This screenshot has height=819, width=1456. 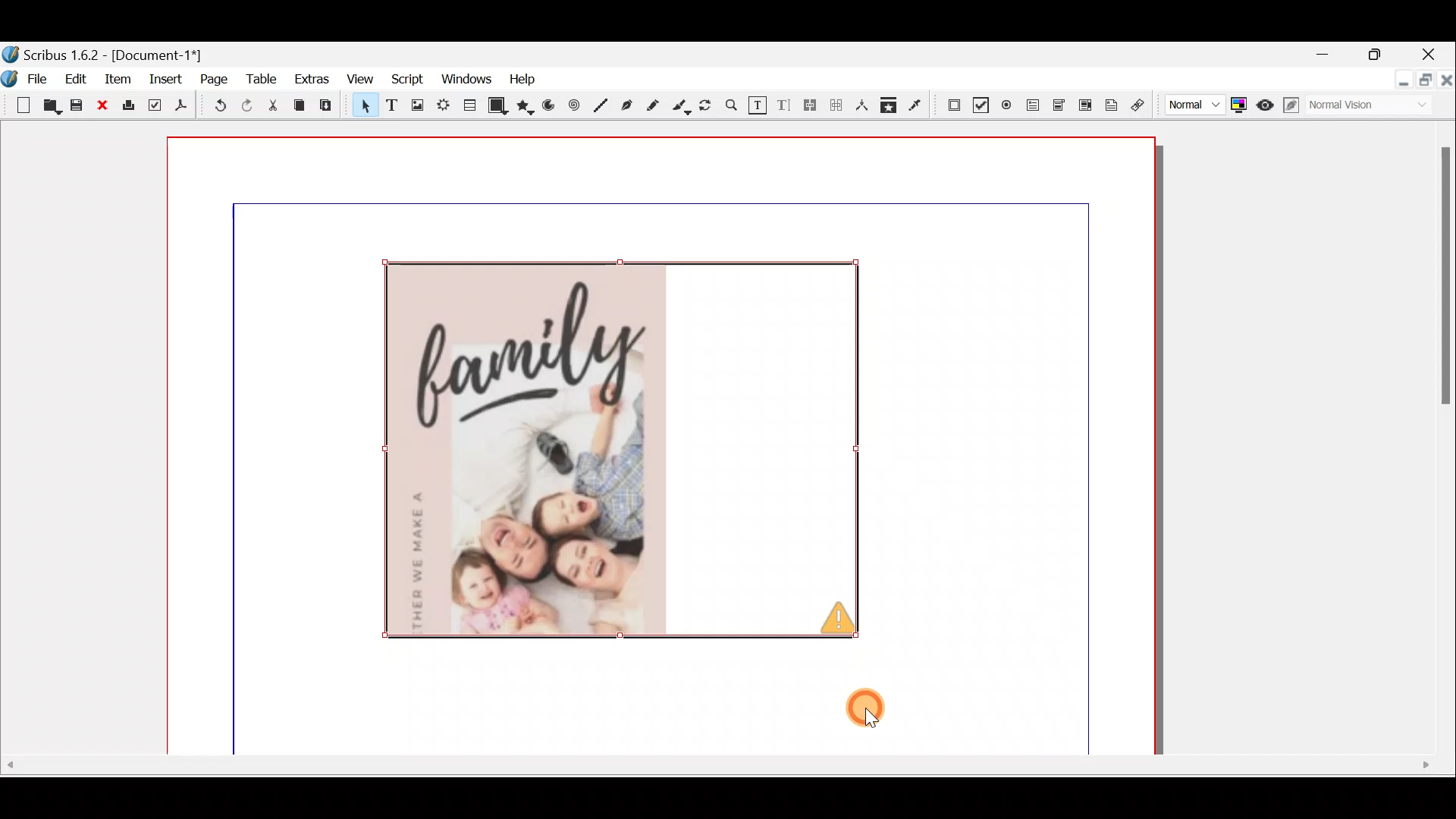 I want to click on Zoom in or out, so click(x=730, y=109).